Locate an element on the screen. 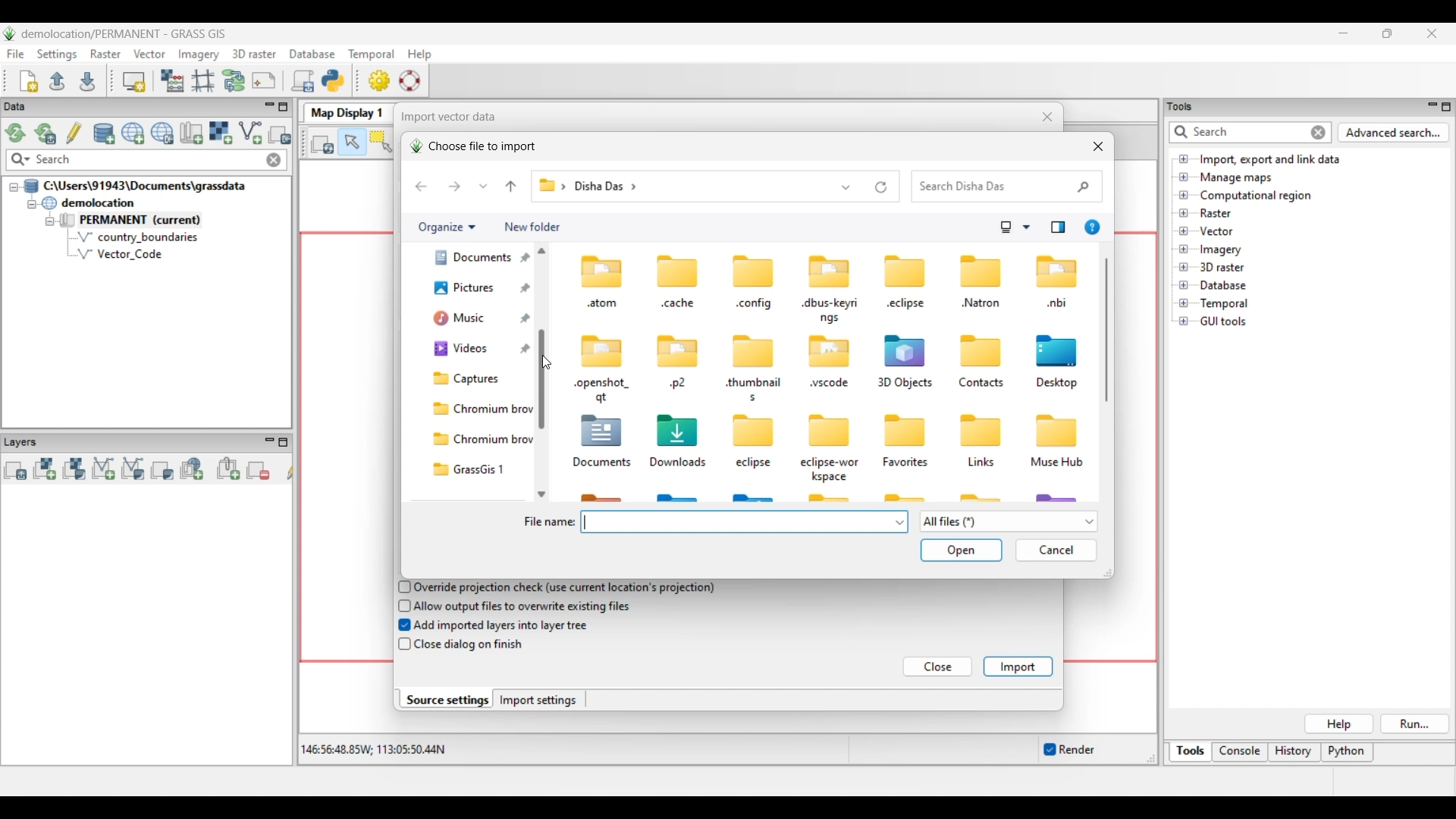  Tools, current selection is located at coordinates (1191, 752).